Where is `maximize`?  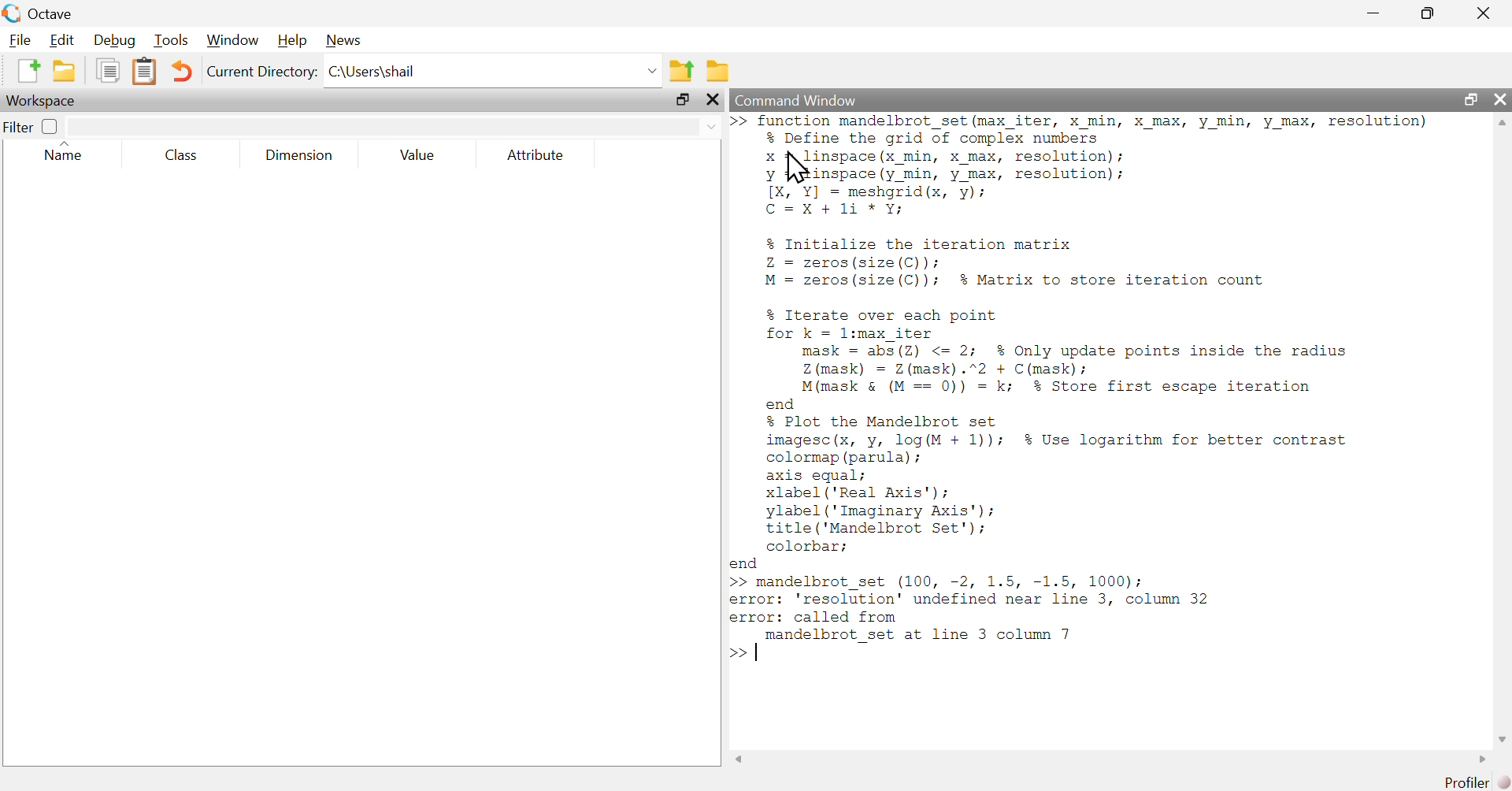
maximize is located at coordinates (1471, 100).